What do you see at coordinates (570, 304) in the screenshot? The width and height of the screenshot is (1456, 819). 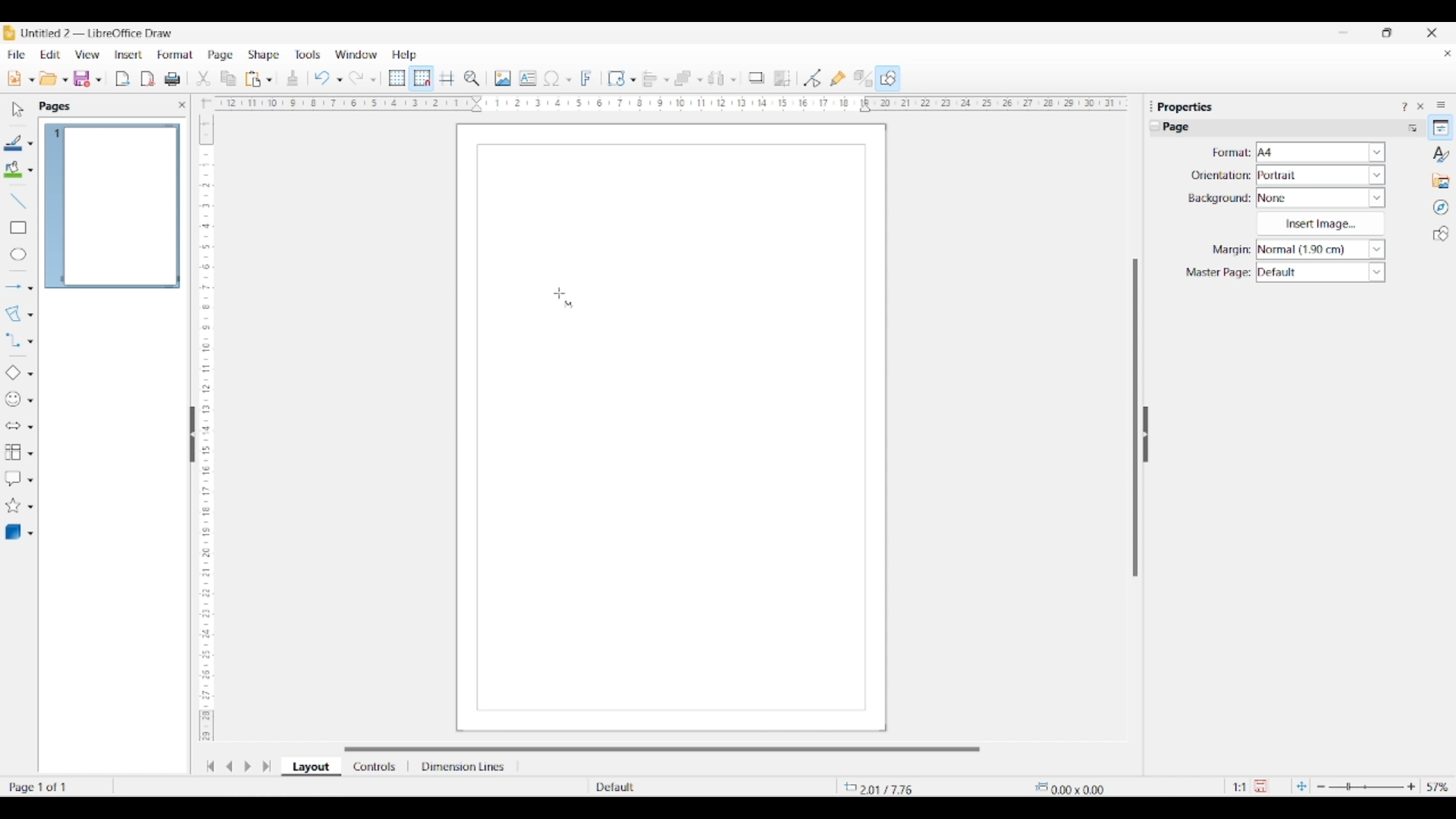 I see `Polygon symbol` at bounding box center [570, 304].